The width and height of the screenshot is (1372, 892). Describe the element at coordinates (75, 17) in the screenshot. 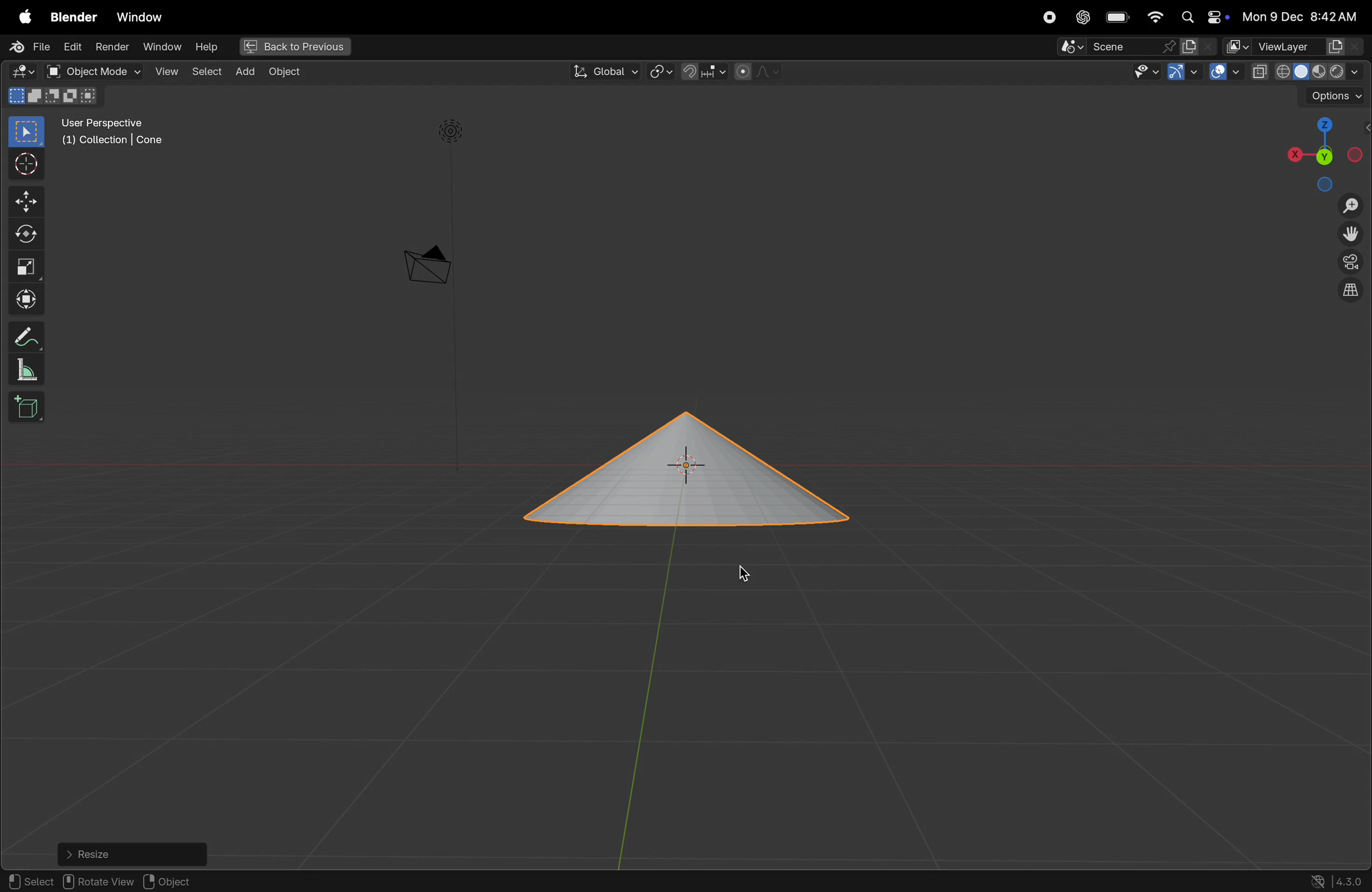

I see `Blender` at that location.